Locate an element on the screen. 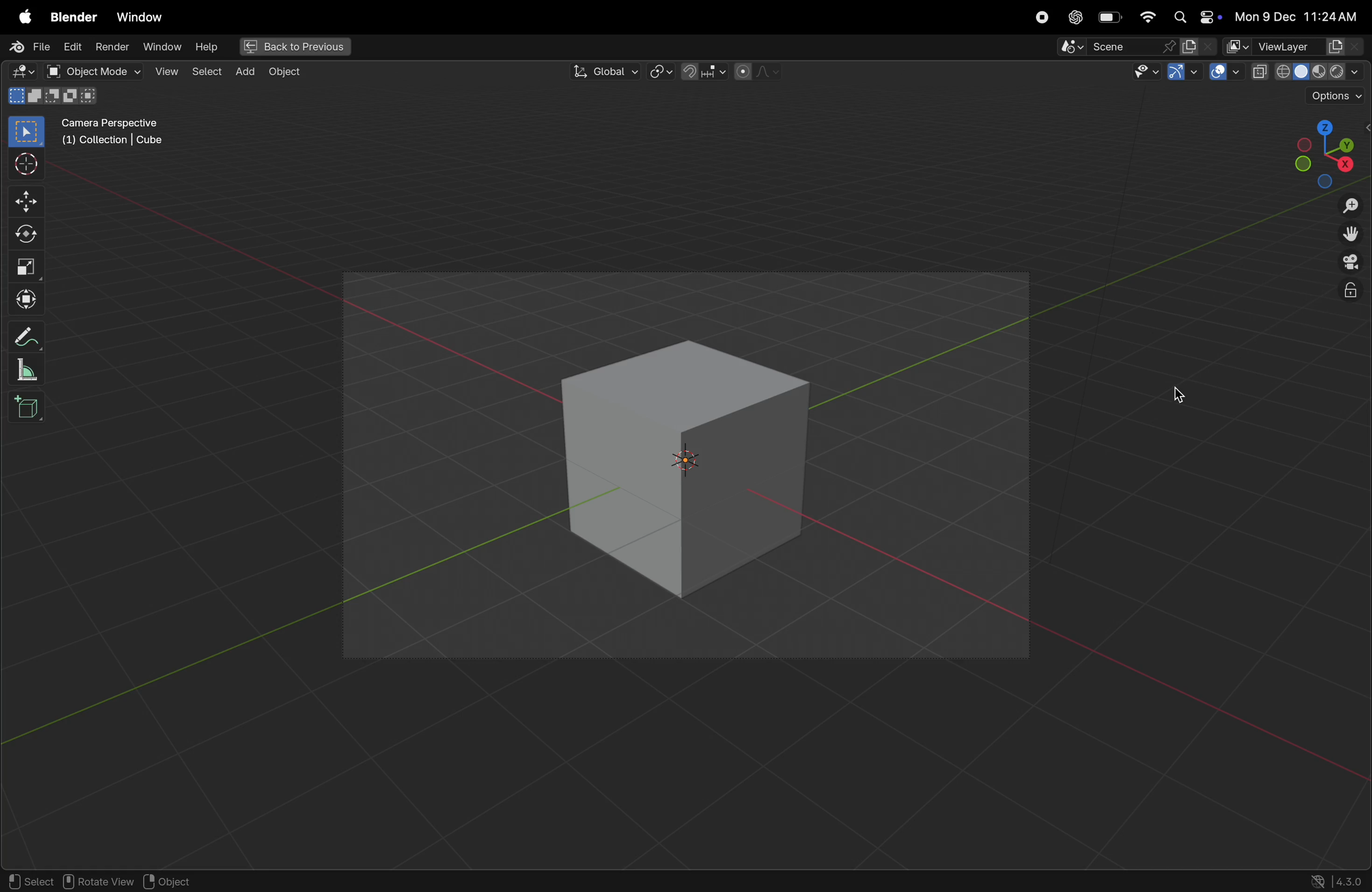 The width and height of the screenshot is (1372, 892). editor type is located at coordinates (22, 72).